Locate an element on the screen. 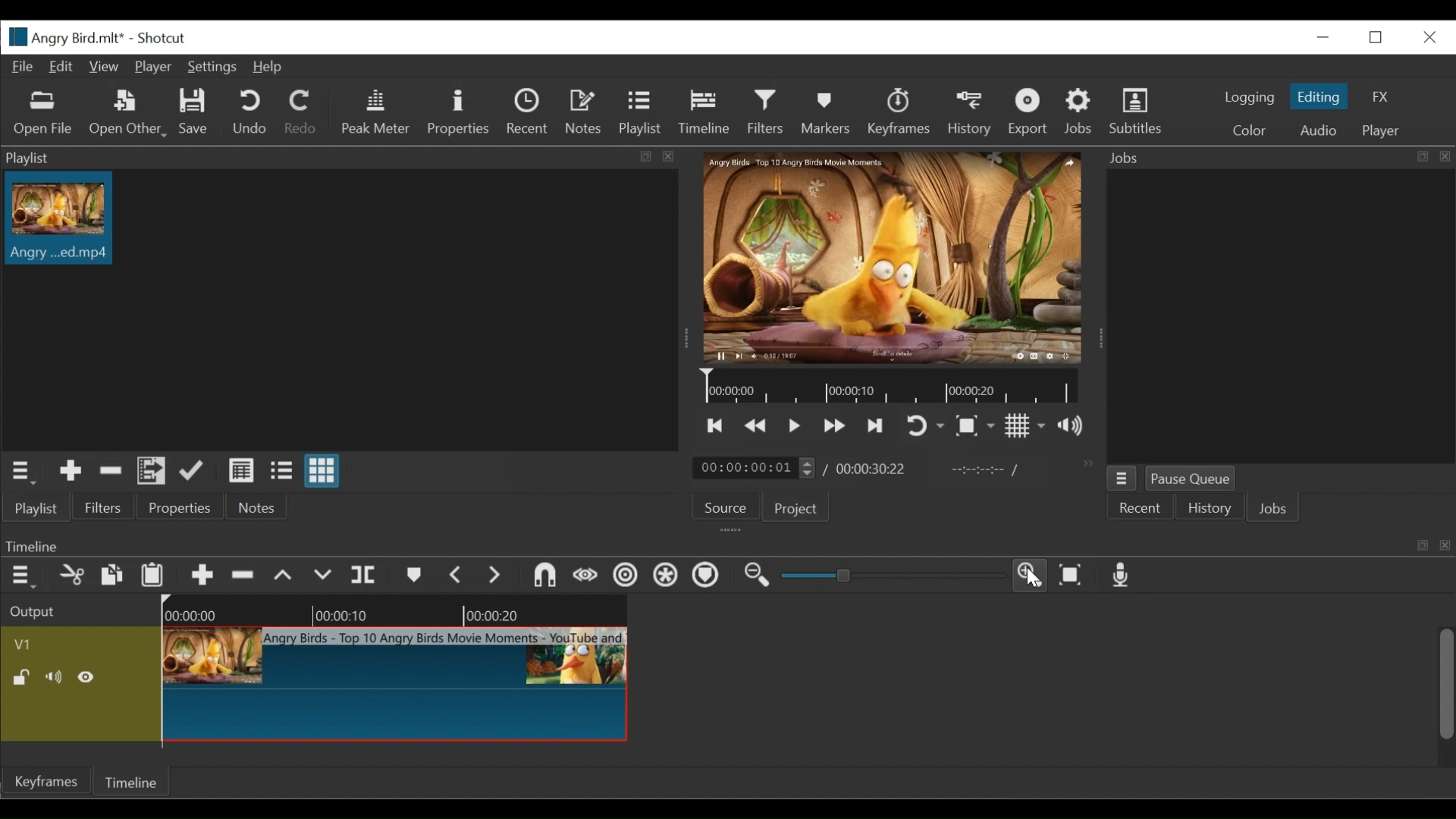  Player is located at coordinates (1382, 130).